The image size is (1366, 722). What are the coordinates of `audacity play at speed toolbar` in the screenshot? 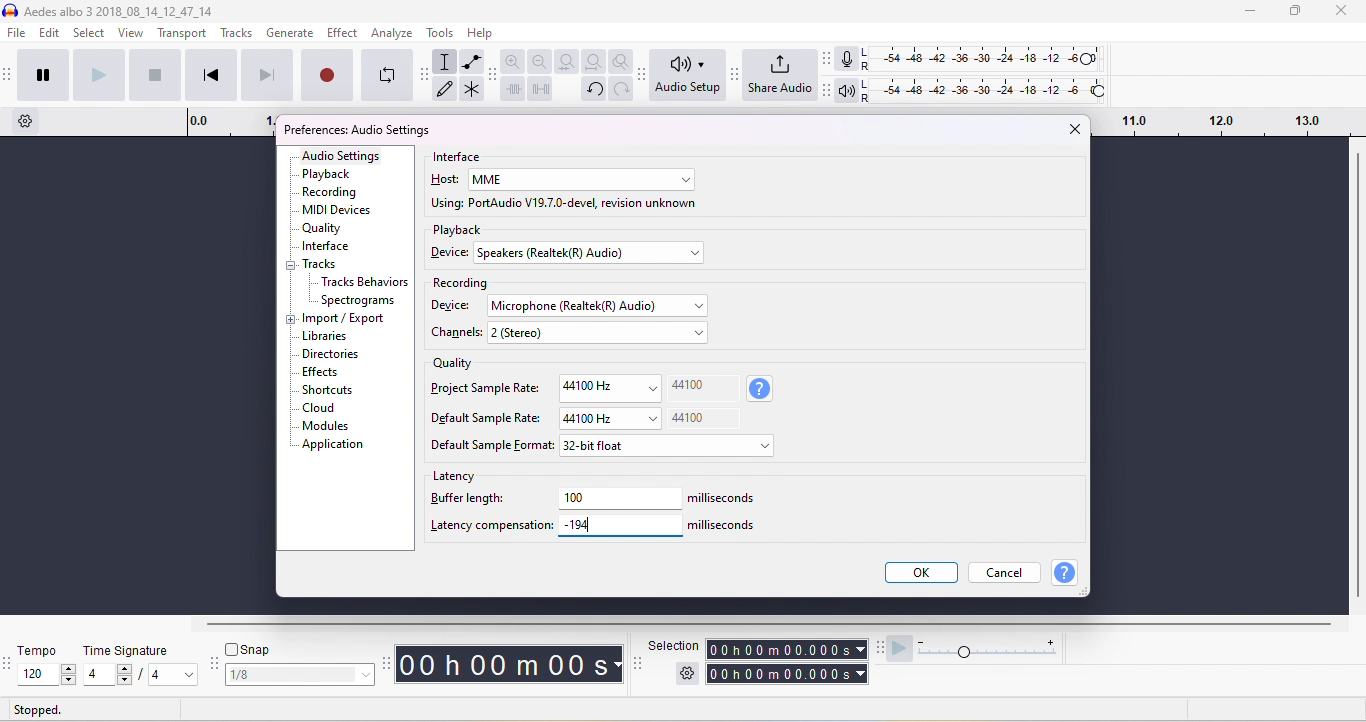 It's located at (881, 648).